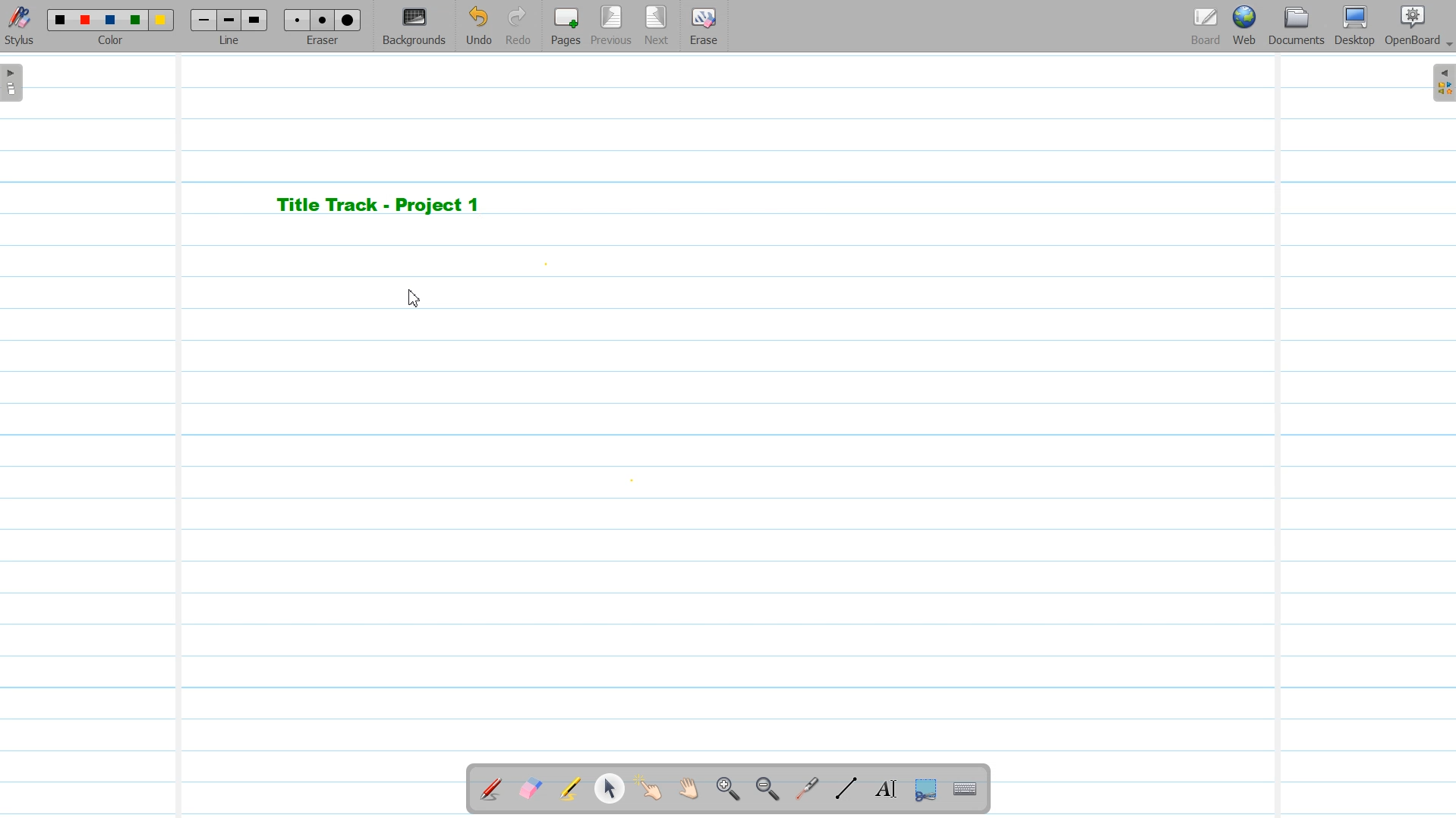 This screenshot has width=1456, height=818. What do you see at coordinates (649, 790) in the screenshot?
I see `Interact With Item` at bounding box center [649, 790].